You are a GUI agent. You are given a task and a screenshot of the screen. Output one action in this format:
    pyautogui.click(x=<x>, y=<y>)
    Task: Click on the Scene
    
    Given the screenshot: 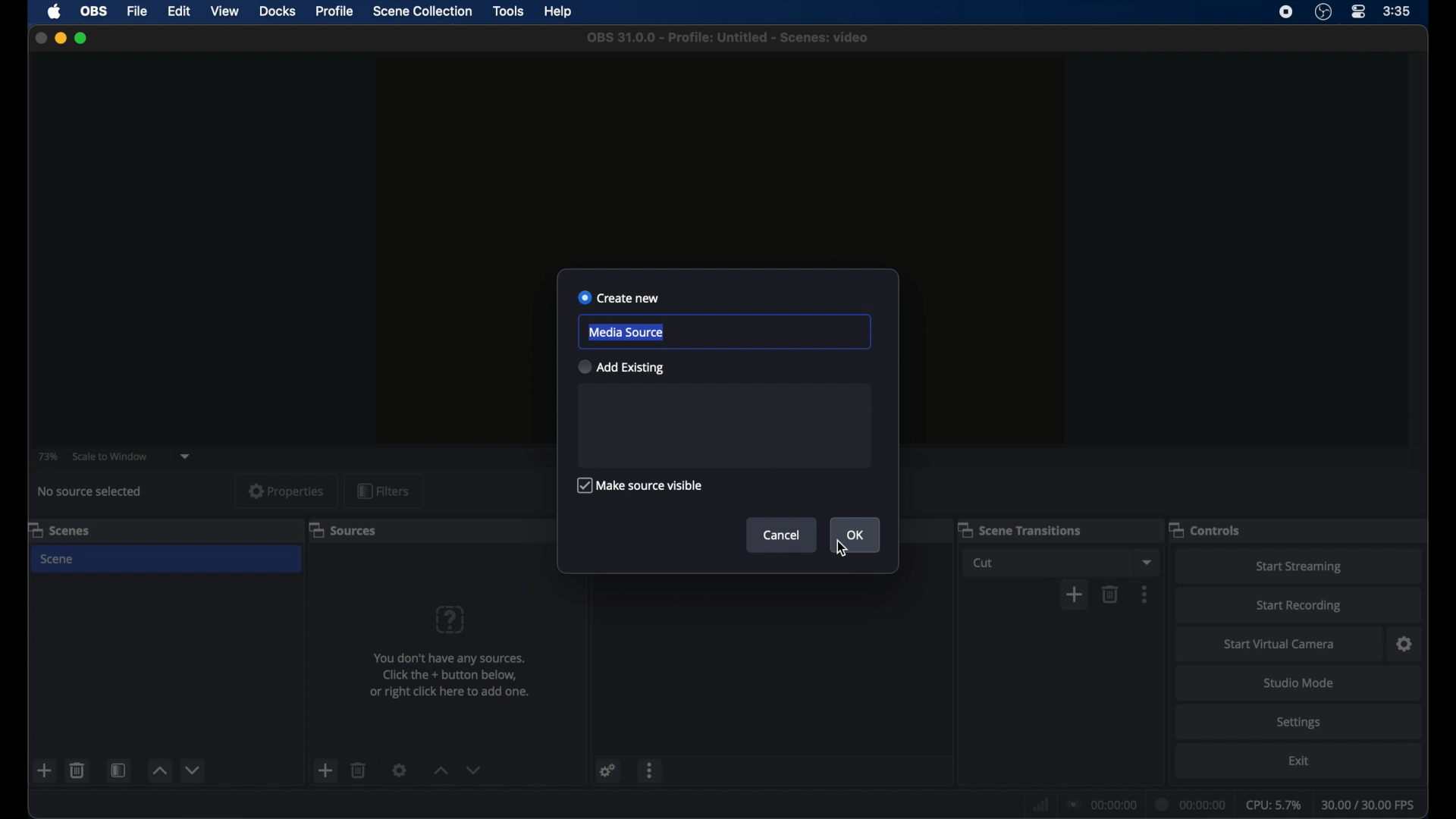 What is the action you would take?
    pyautogui.click(x=58, y=559)
    